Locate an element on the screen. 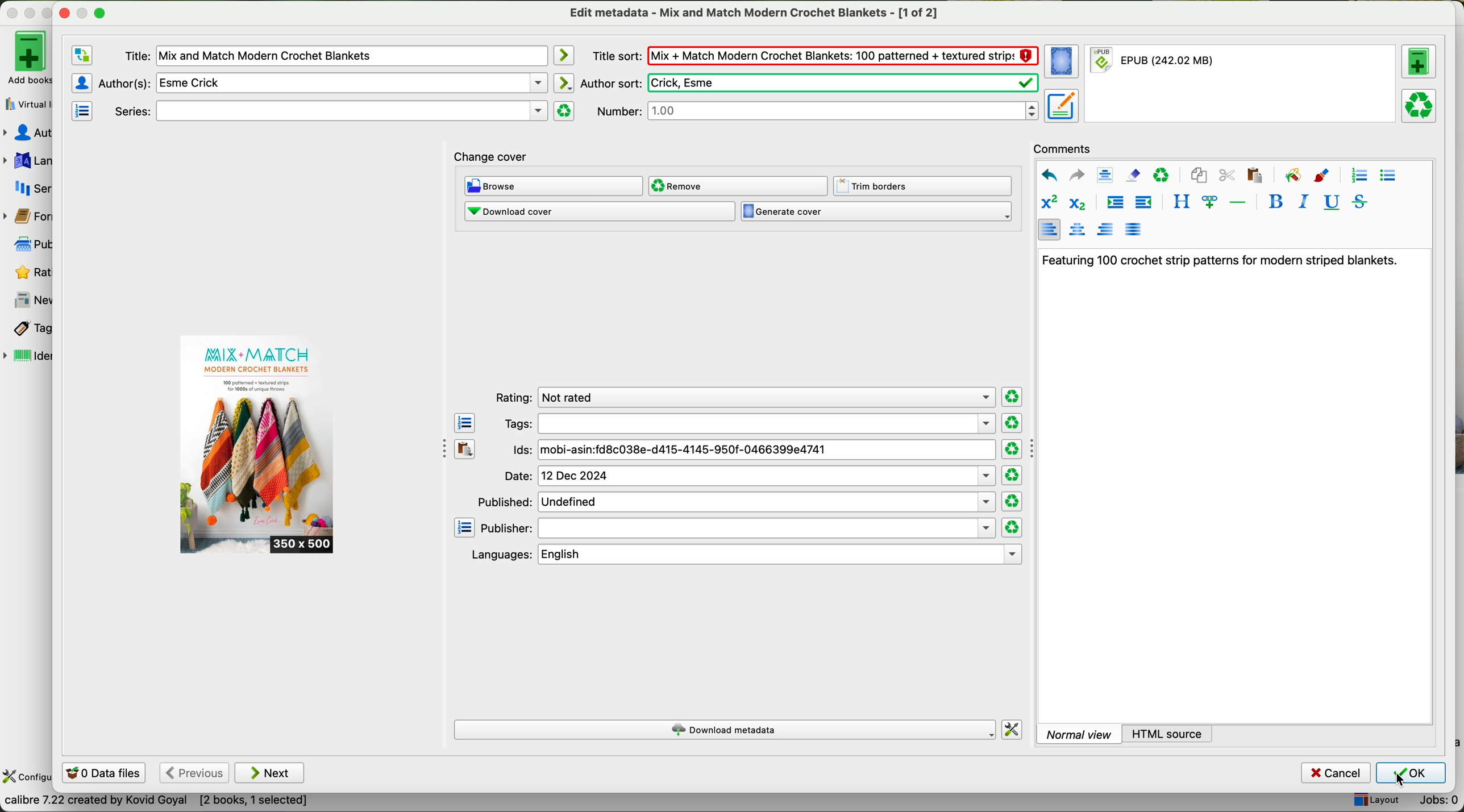  undo is located at coordinates (1049, 176).